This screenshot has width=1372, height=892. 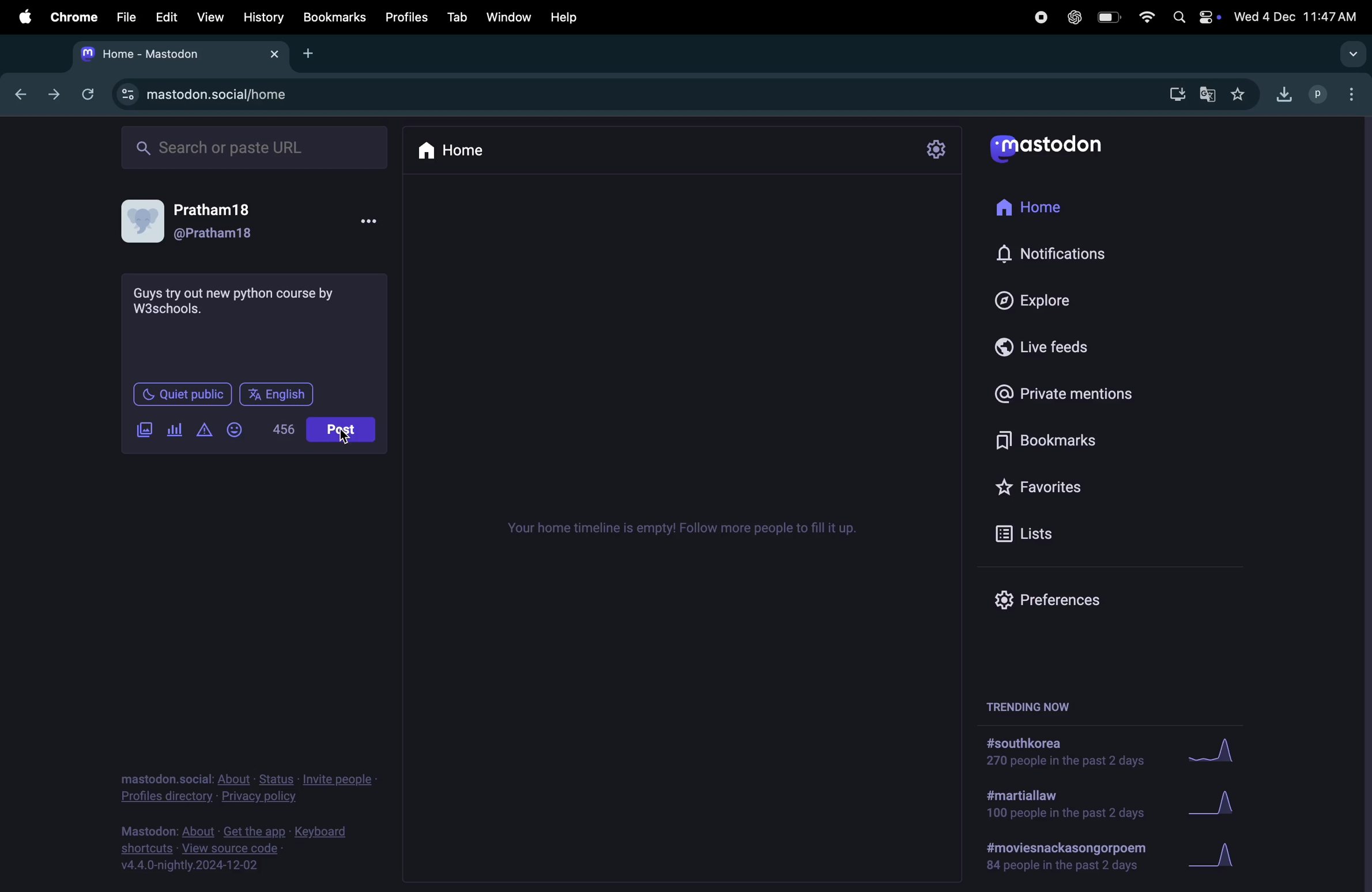 What do you see at coordinates (1071, 17) in the screenshot?
I see `Chatgpt` at bounding box center [1071, 17].